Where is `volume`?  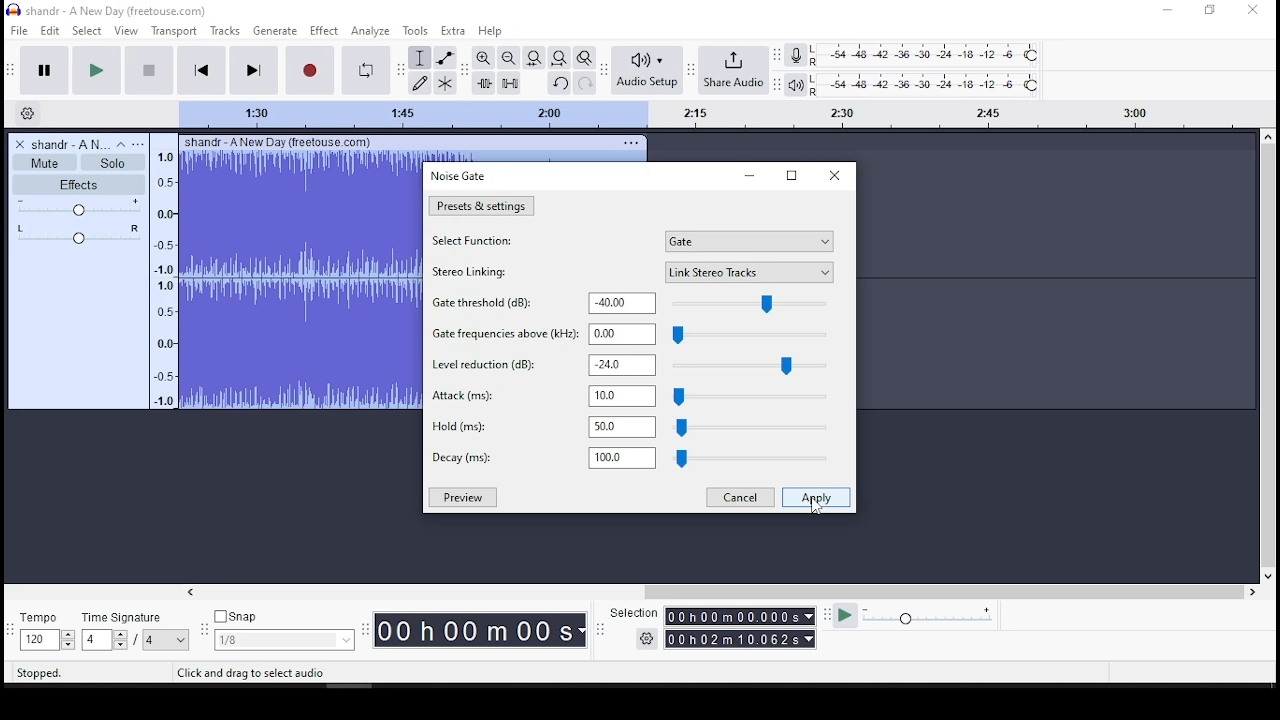 volume is located at coordinates (77, 207).